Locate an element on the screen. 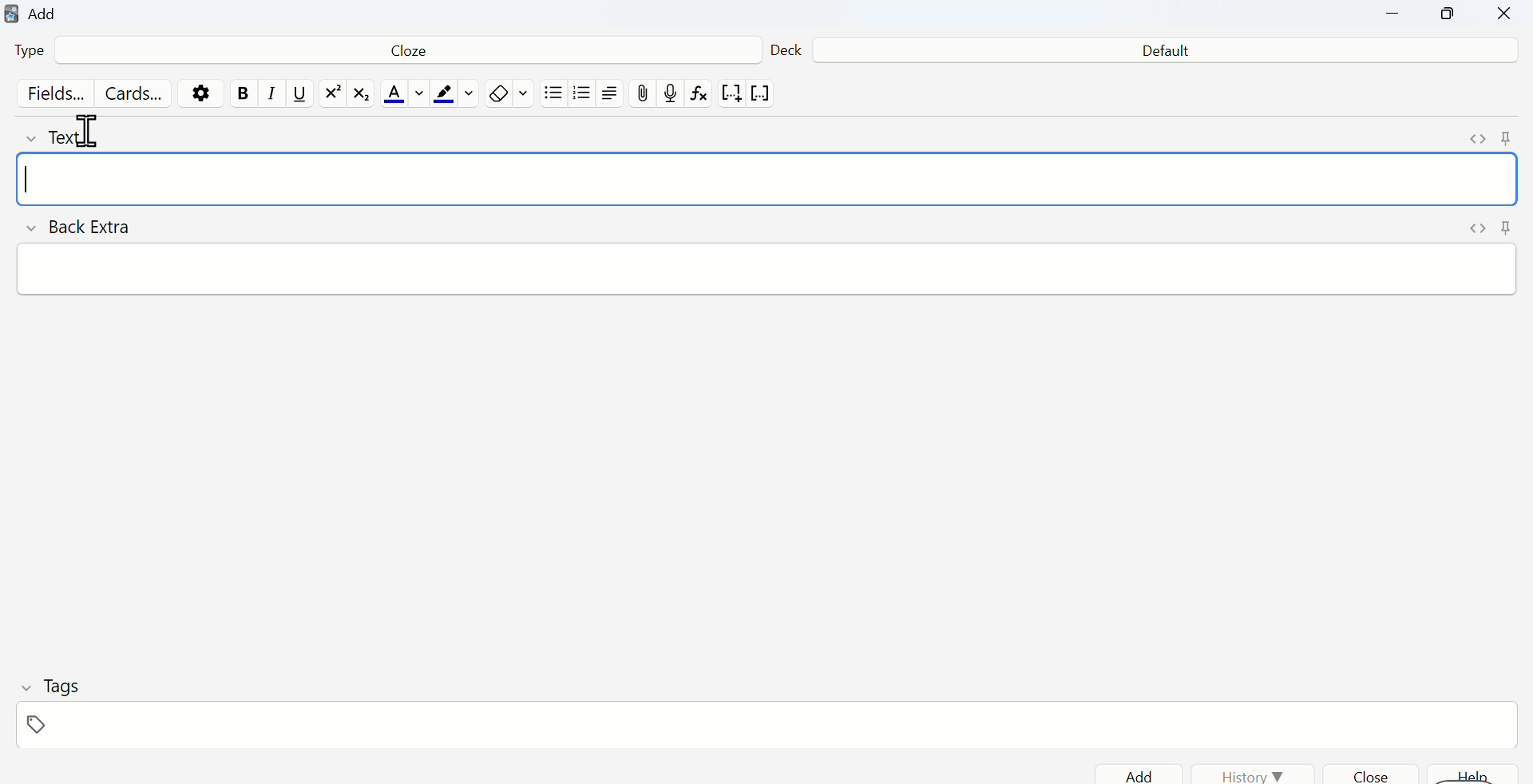 This screenshot has height=784, width=1533. Numbered list is located at coordinates (584, 96).